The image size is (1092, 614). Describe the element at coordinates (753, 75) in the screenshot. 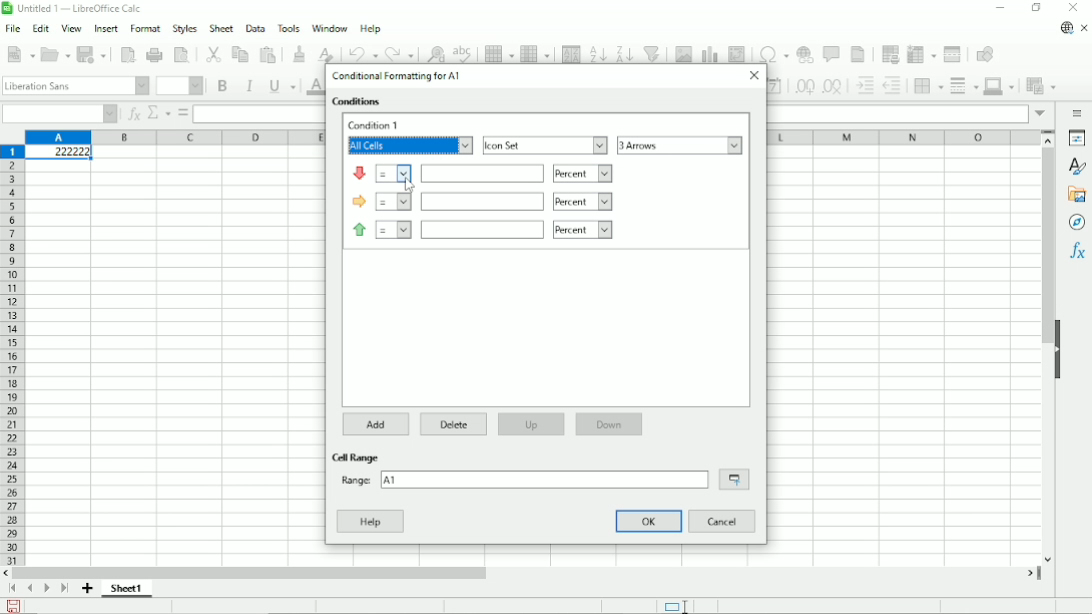

I see `Close` at that location.